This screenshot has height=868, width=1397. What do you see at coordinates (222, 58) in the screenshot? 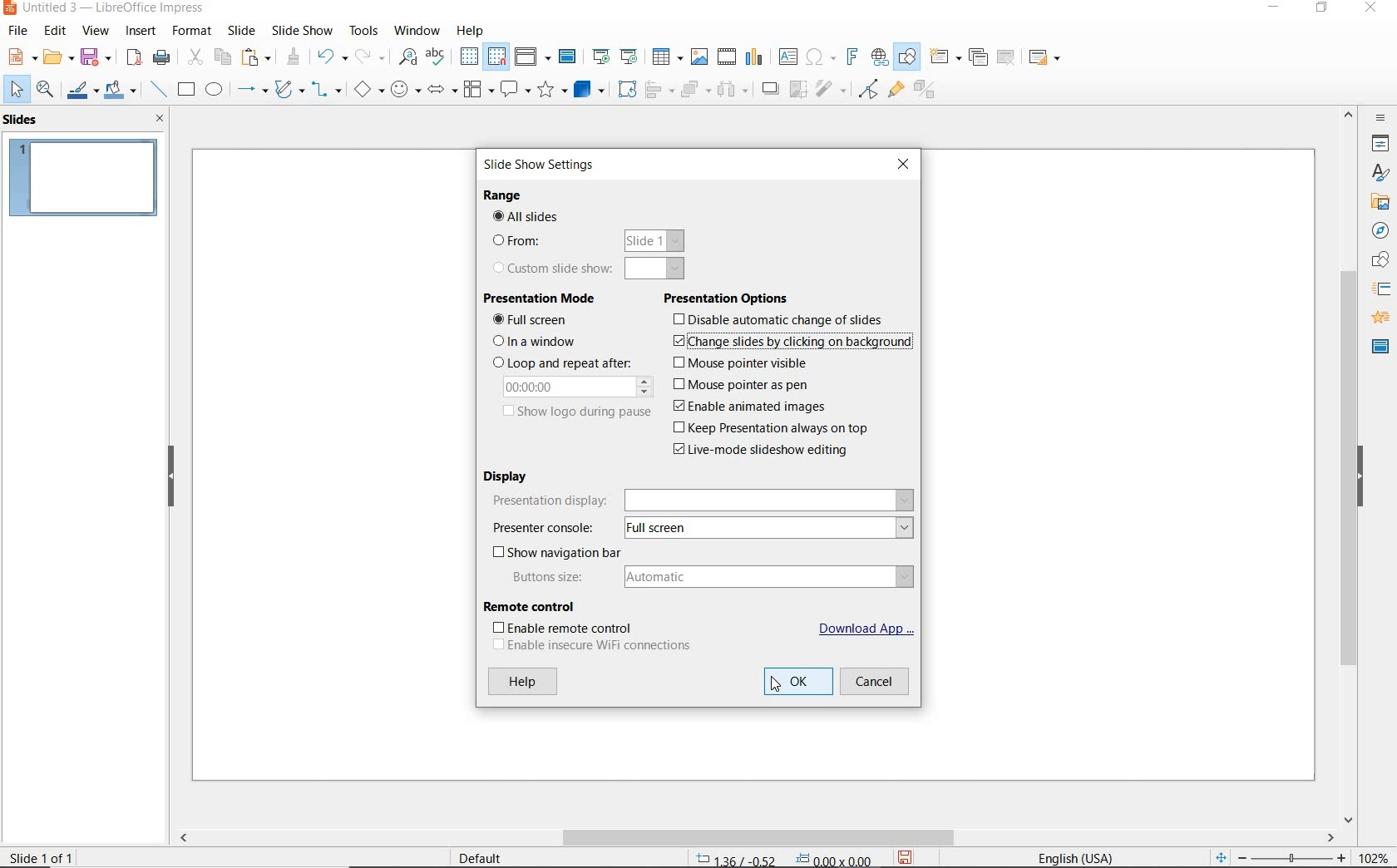
I see `COPY` at bounding box center [222, 58].